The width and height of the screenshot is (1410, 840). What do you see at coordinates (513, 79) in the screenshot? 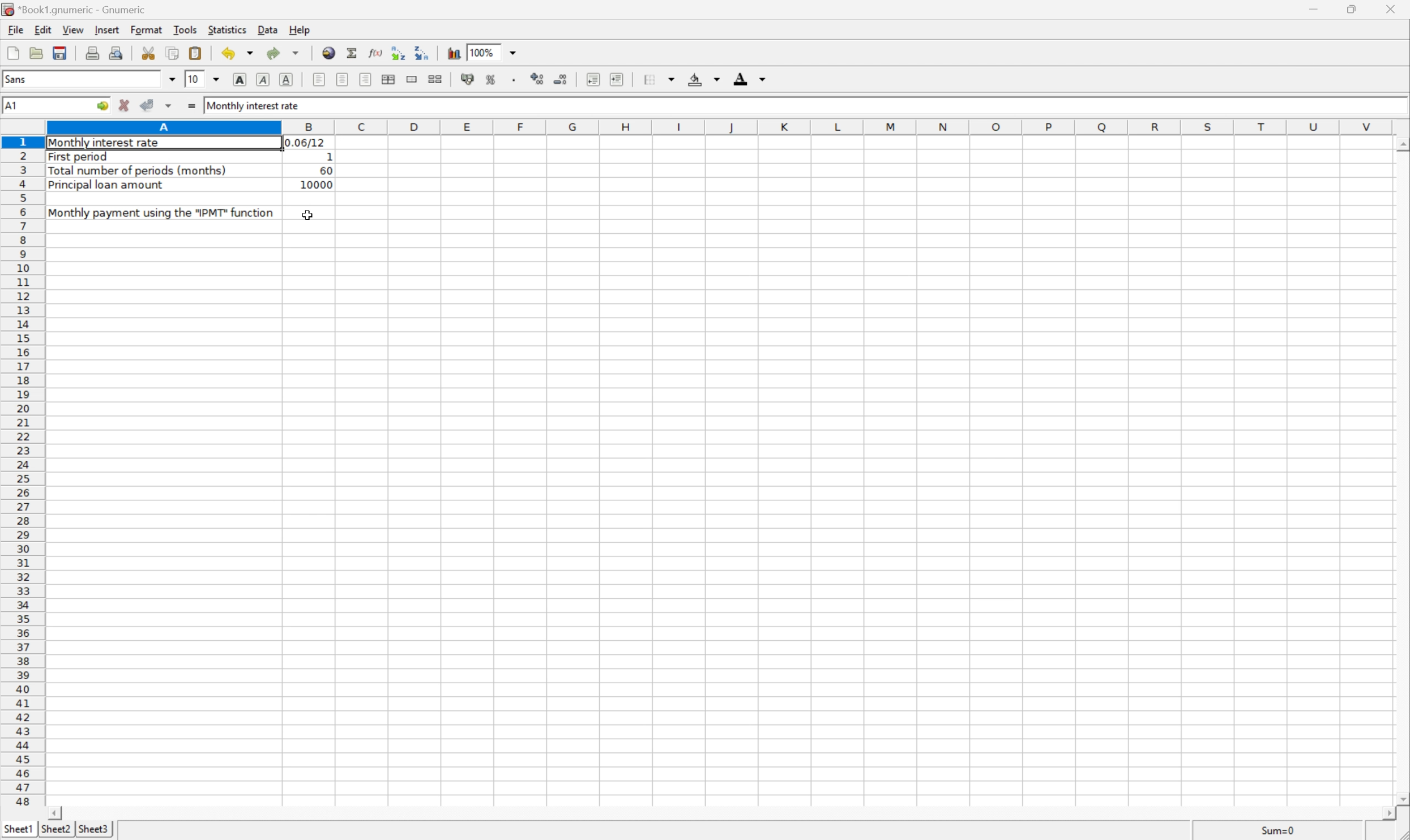
I see `Set the format of the selected cells to include a thousands separator` at bounding box center [513, 79].